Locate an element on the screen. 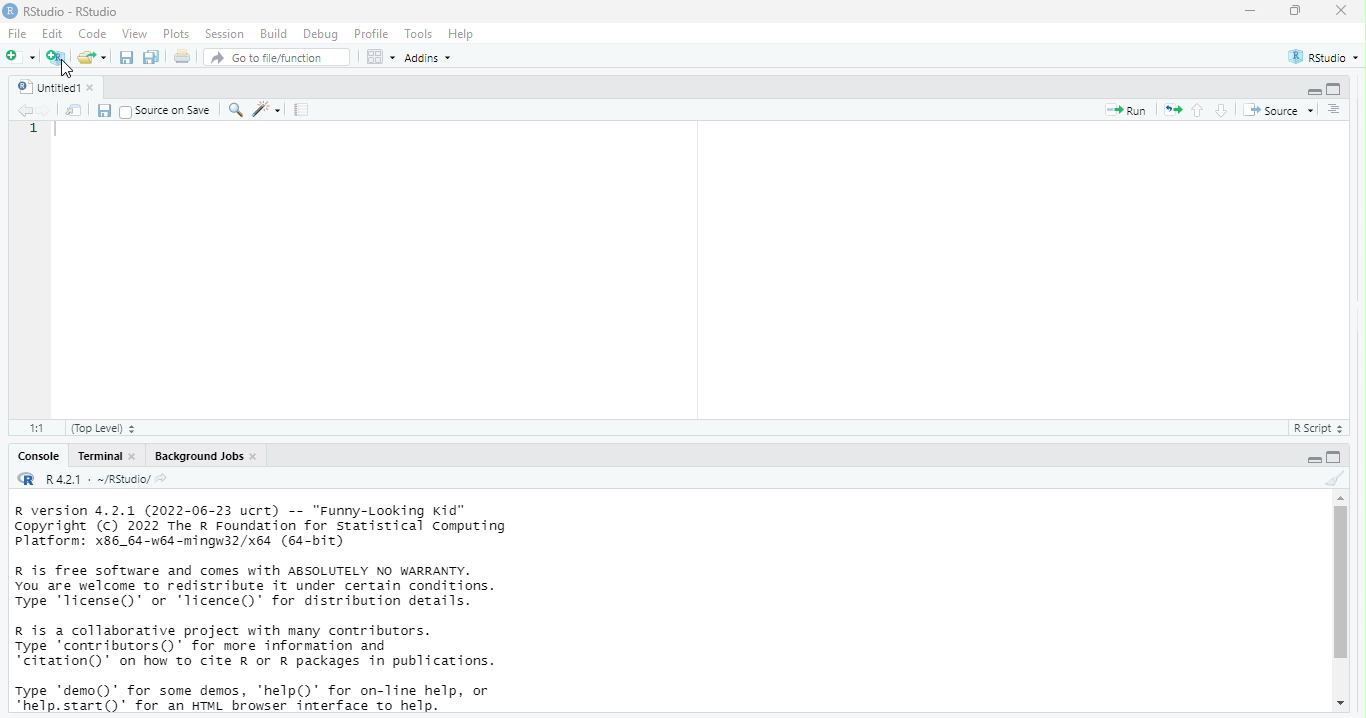  minimize is located at coordinates (1310, 457).